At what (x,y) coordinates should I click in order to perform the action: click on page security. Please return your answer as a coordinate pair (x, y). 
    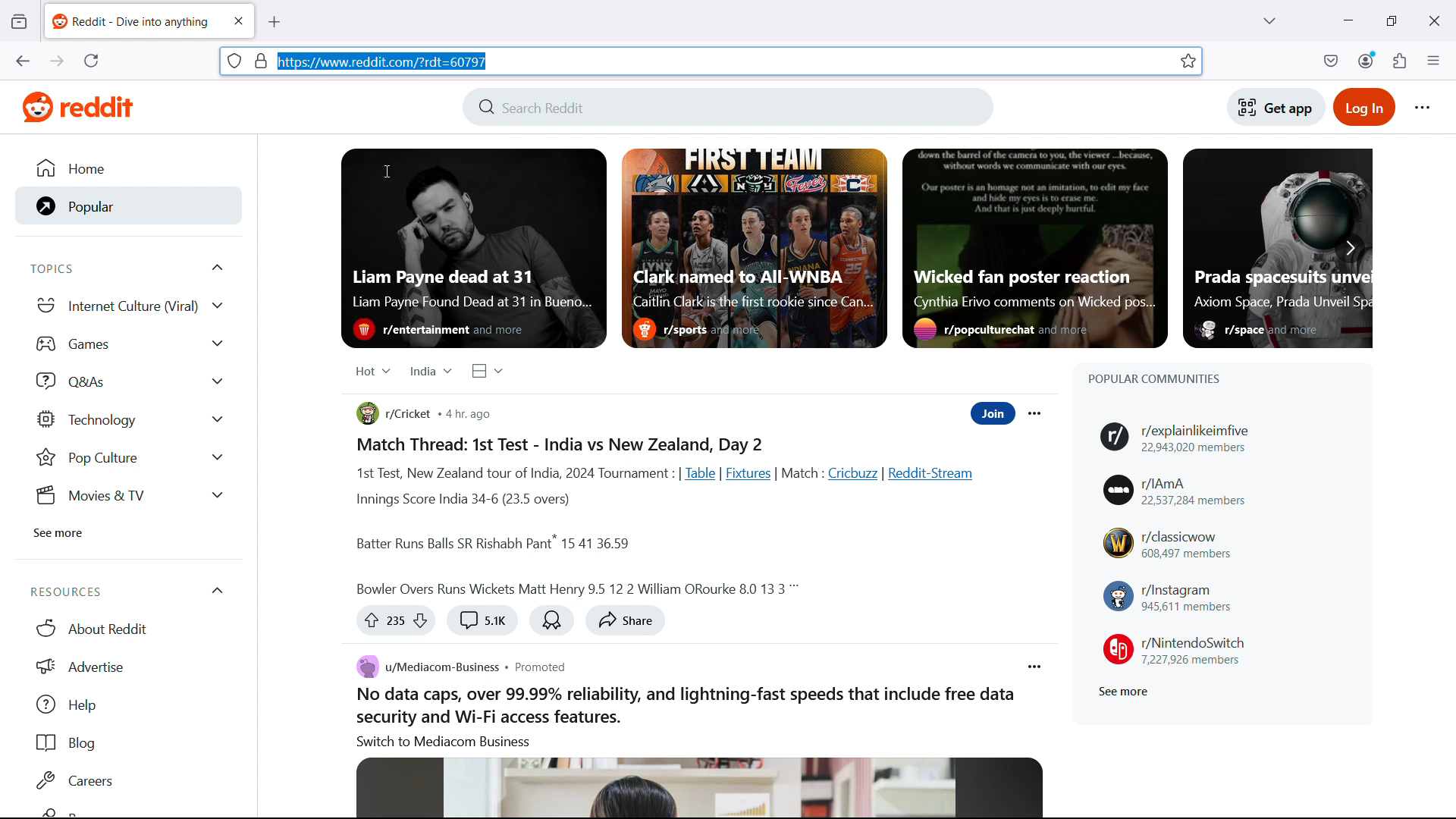
    Looking at the image, I should click on (262, 60).